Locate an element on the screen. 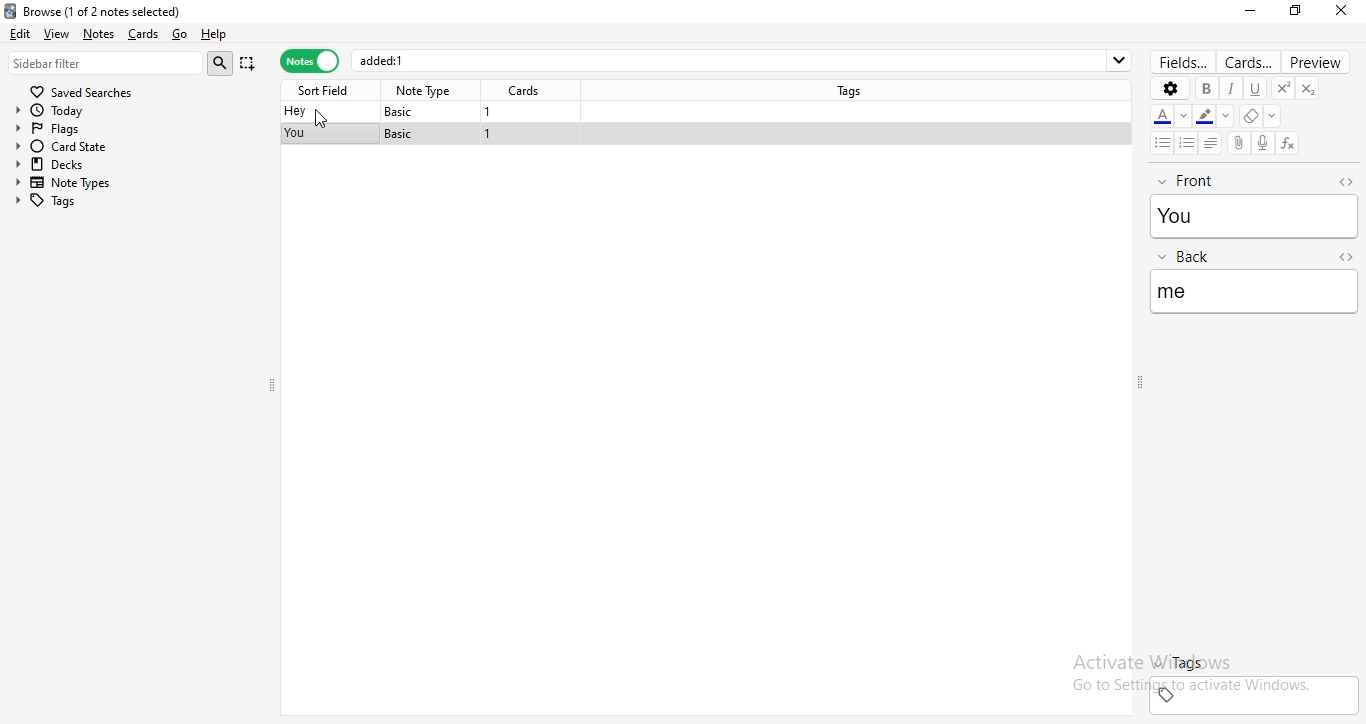 The height and width of the screenshot is (724, 1366). flags is located at coordinates (67, 127).